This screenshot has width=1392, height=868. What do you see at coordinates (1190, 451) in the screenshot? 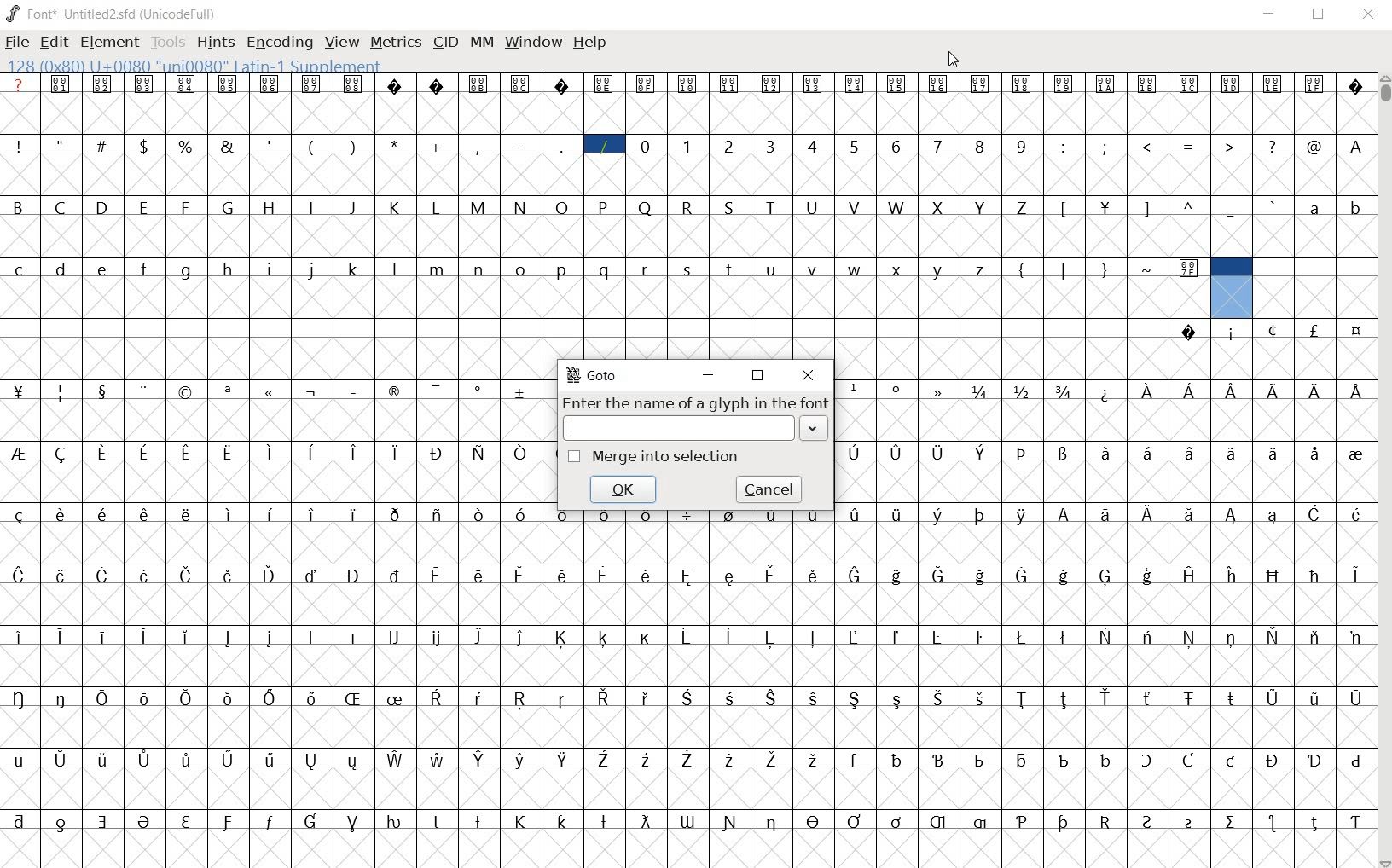
I see `Symbol` at bounding box center [1190, 451].